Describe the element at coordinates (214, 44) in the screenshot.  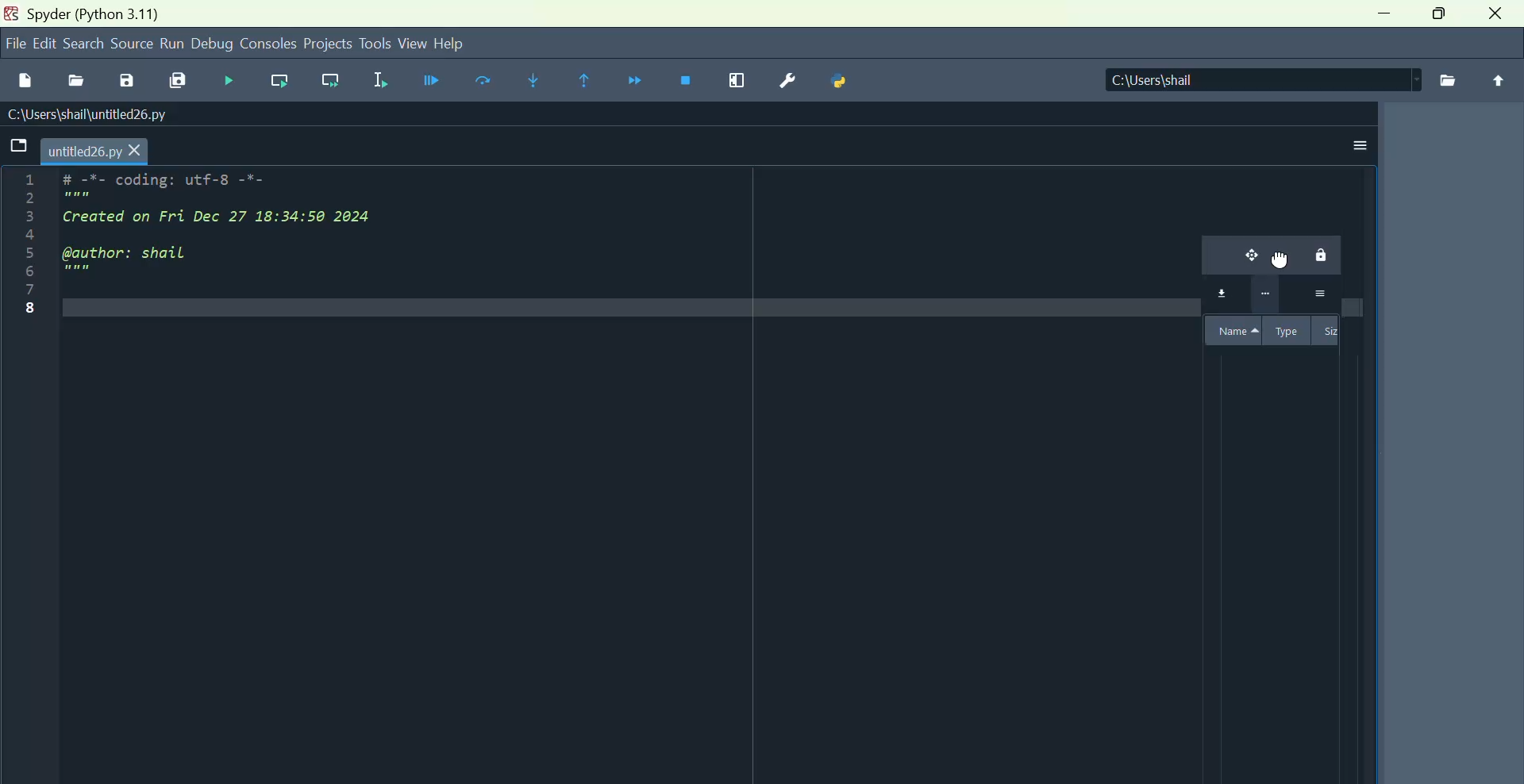
I see `Debug` at that location.